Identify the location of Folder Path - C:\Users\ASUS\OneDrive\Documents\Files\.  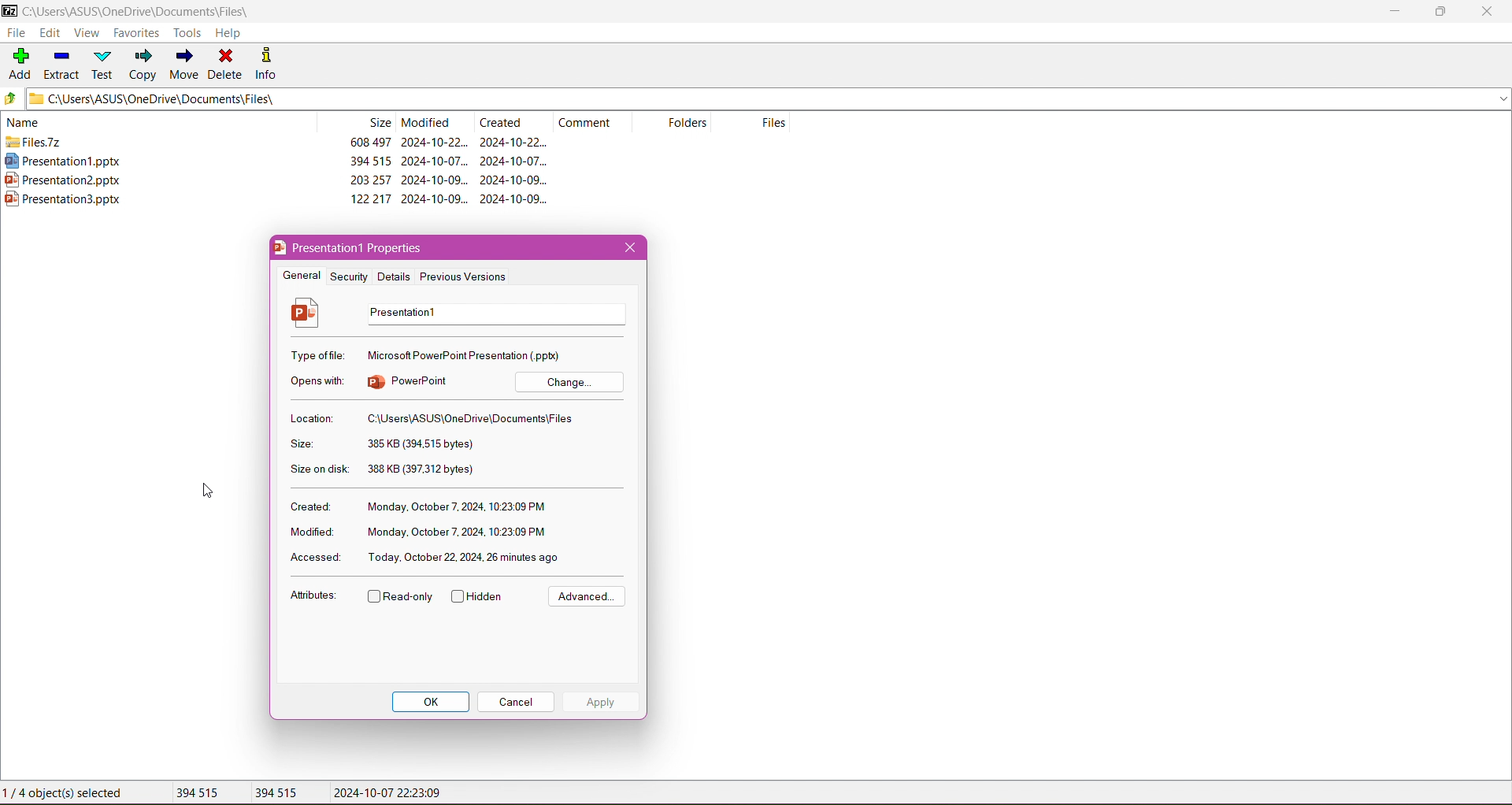
(143, 9).